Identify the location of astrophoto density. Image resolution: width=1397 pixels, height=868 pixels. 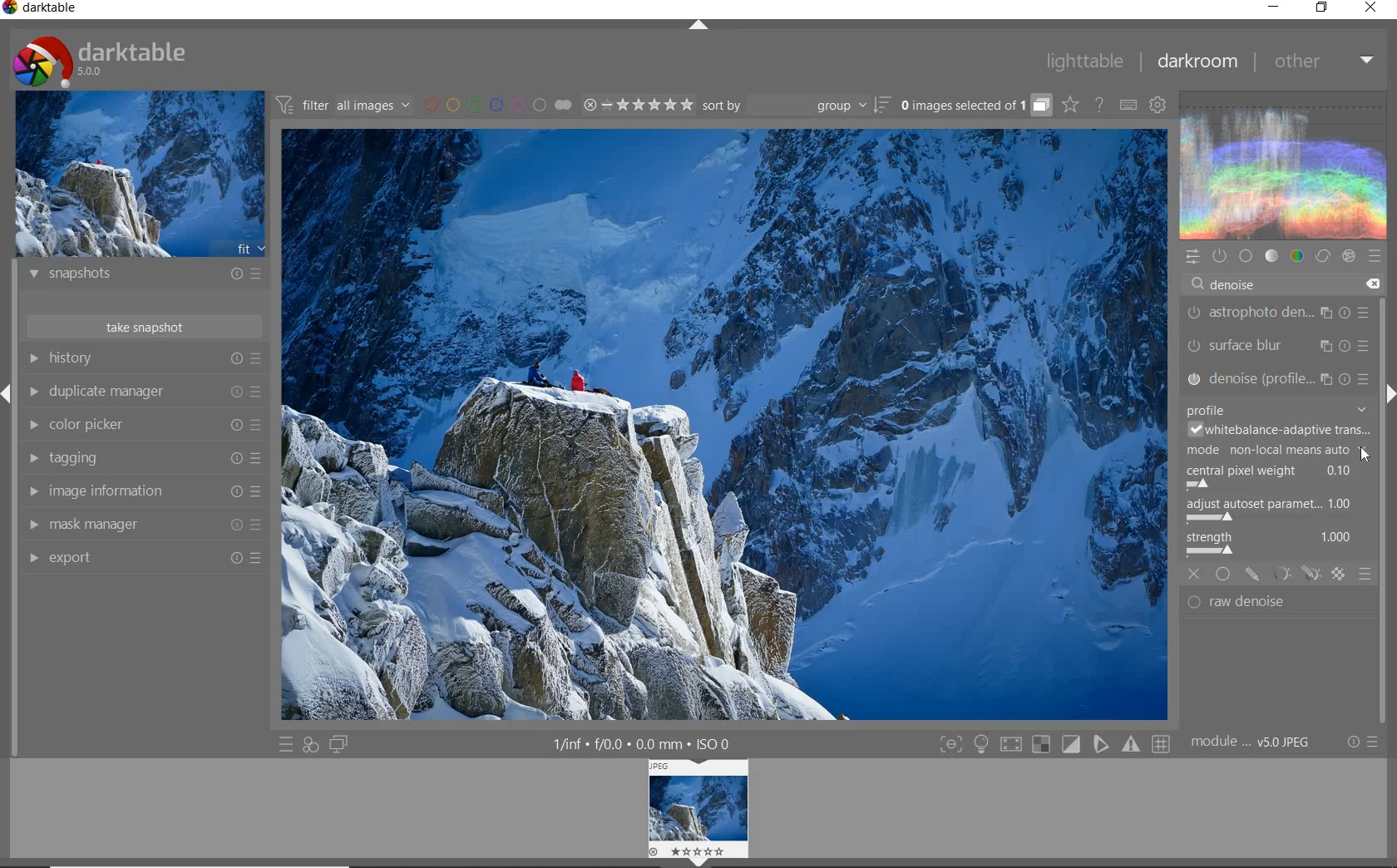
(1278, 316).